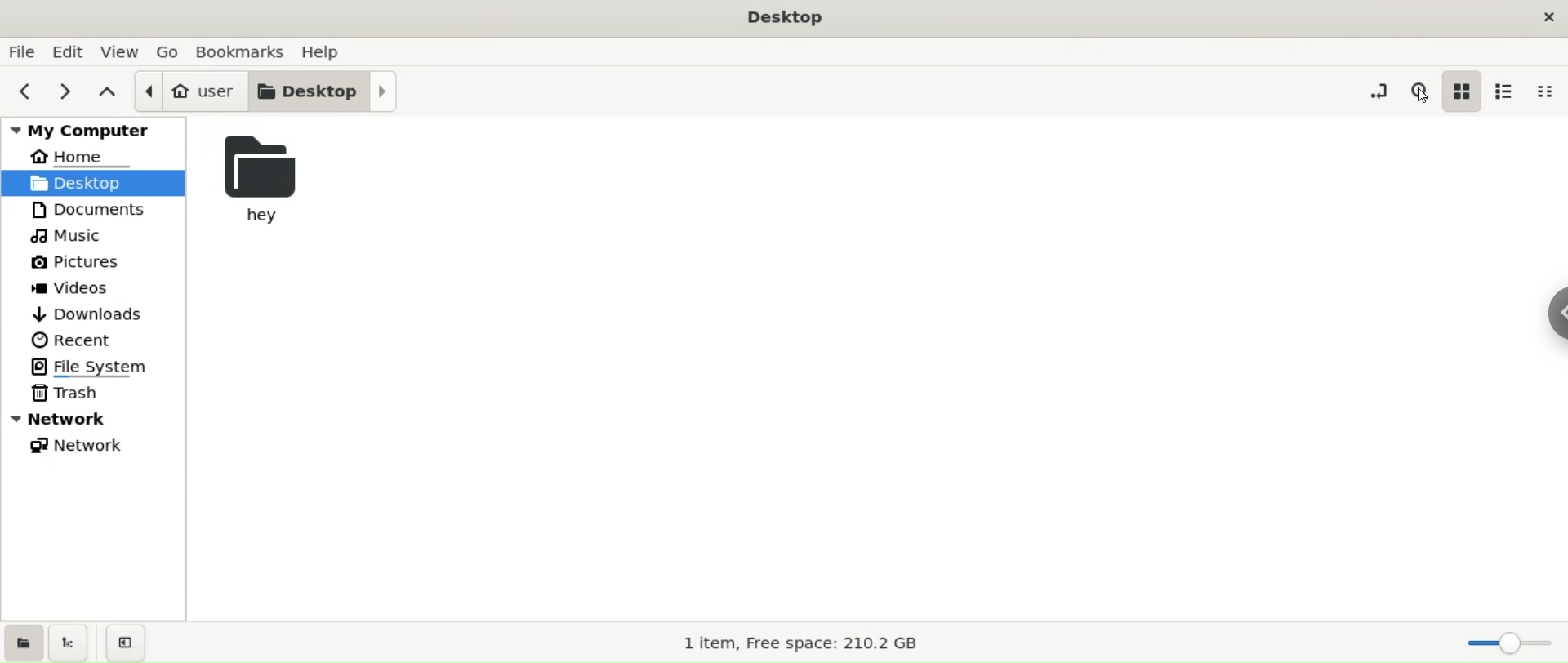  What do you see at coordinates (1421, 90) in the screenshot?
I see `search ` at bounding box center [1421, 90].